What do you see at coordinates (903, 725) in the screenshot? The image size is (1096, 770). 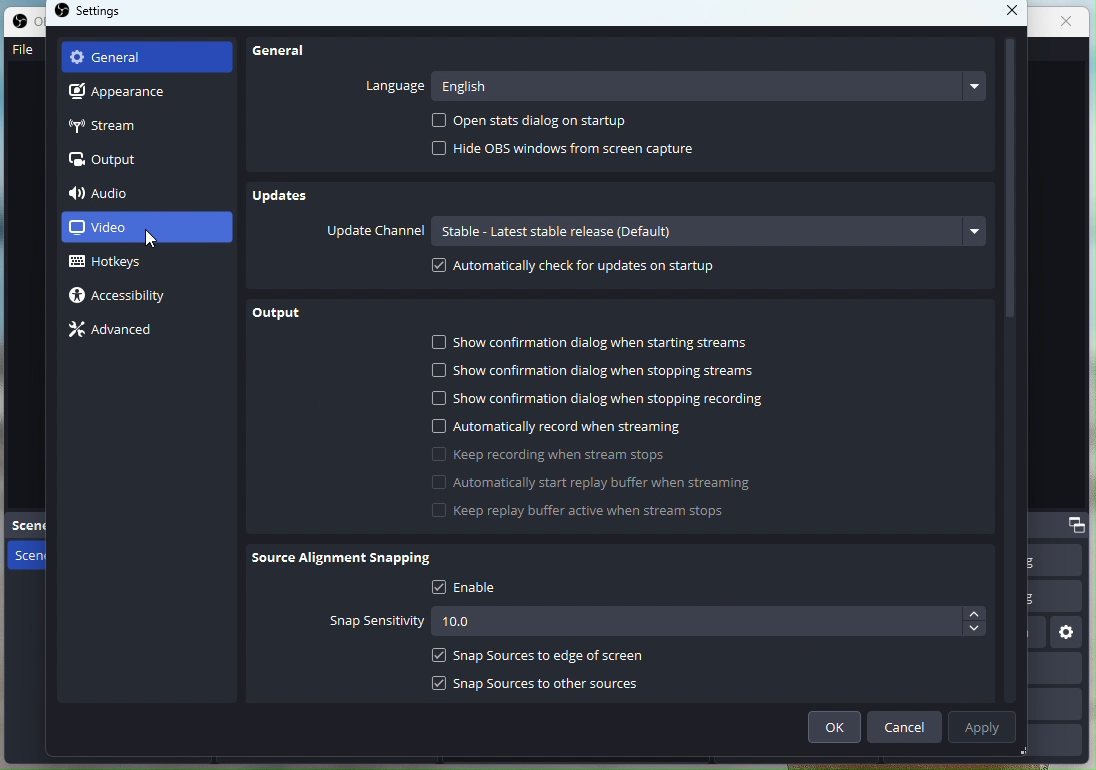 I see `Cancel` at bounding box center [903, 725].